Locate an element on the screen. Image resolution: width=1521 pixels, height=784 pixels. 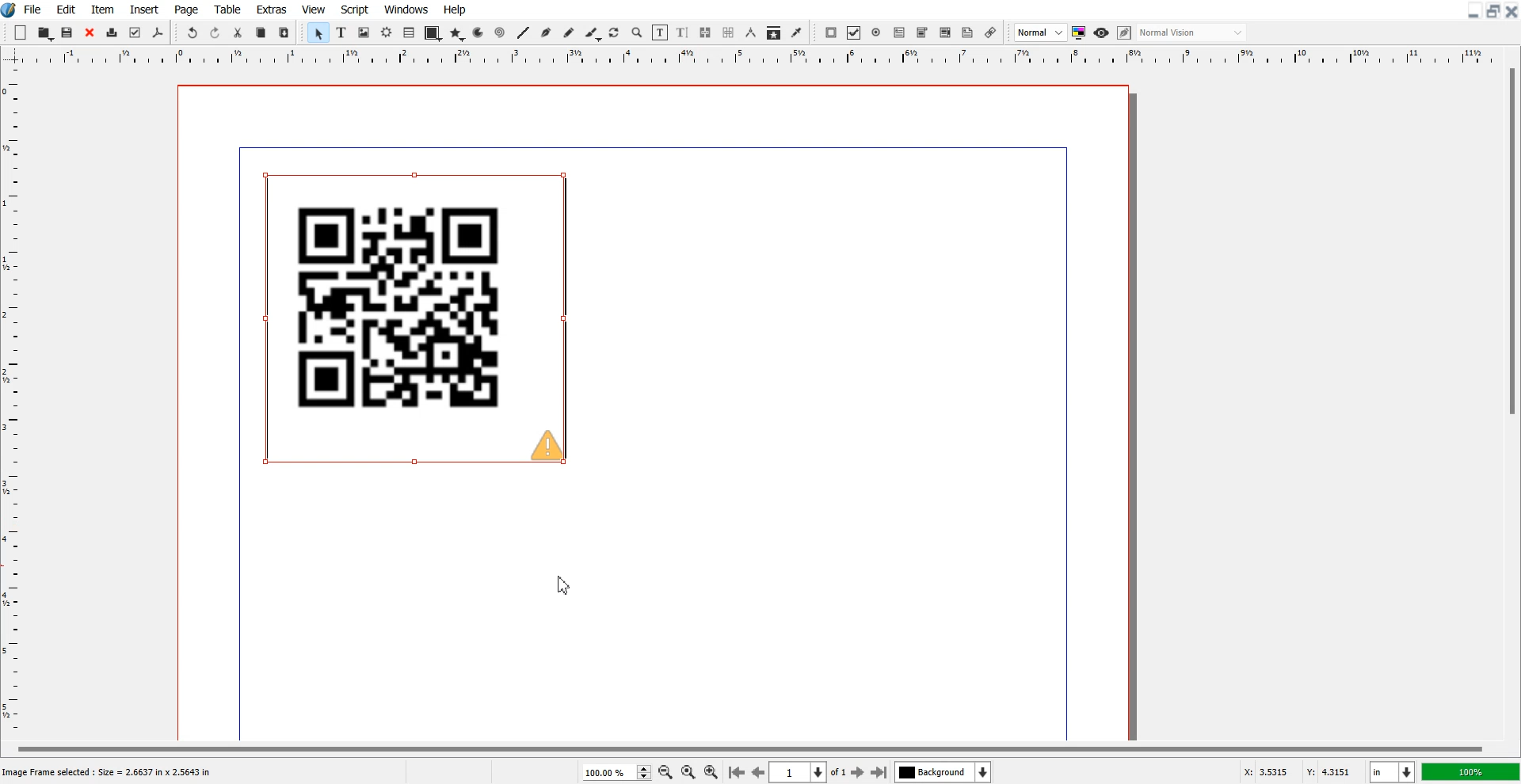
Render frame is located at coordinates (387, 32).